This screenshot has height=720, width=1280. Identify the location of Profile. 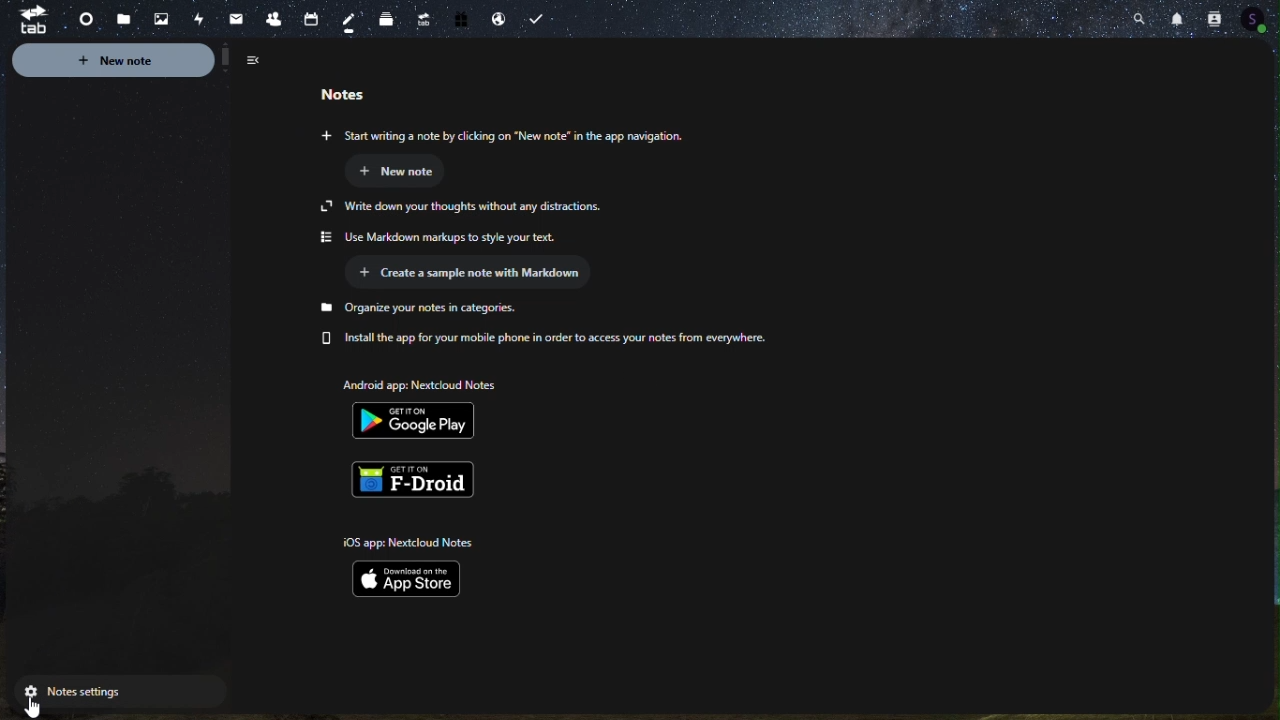
(1262, 22).